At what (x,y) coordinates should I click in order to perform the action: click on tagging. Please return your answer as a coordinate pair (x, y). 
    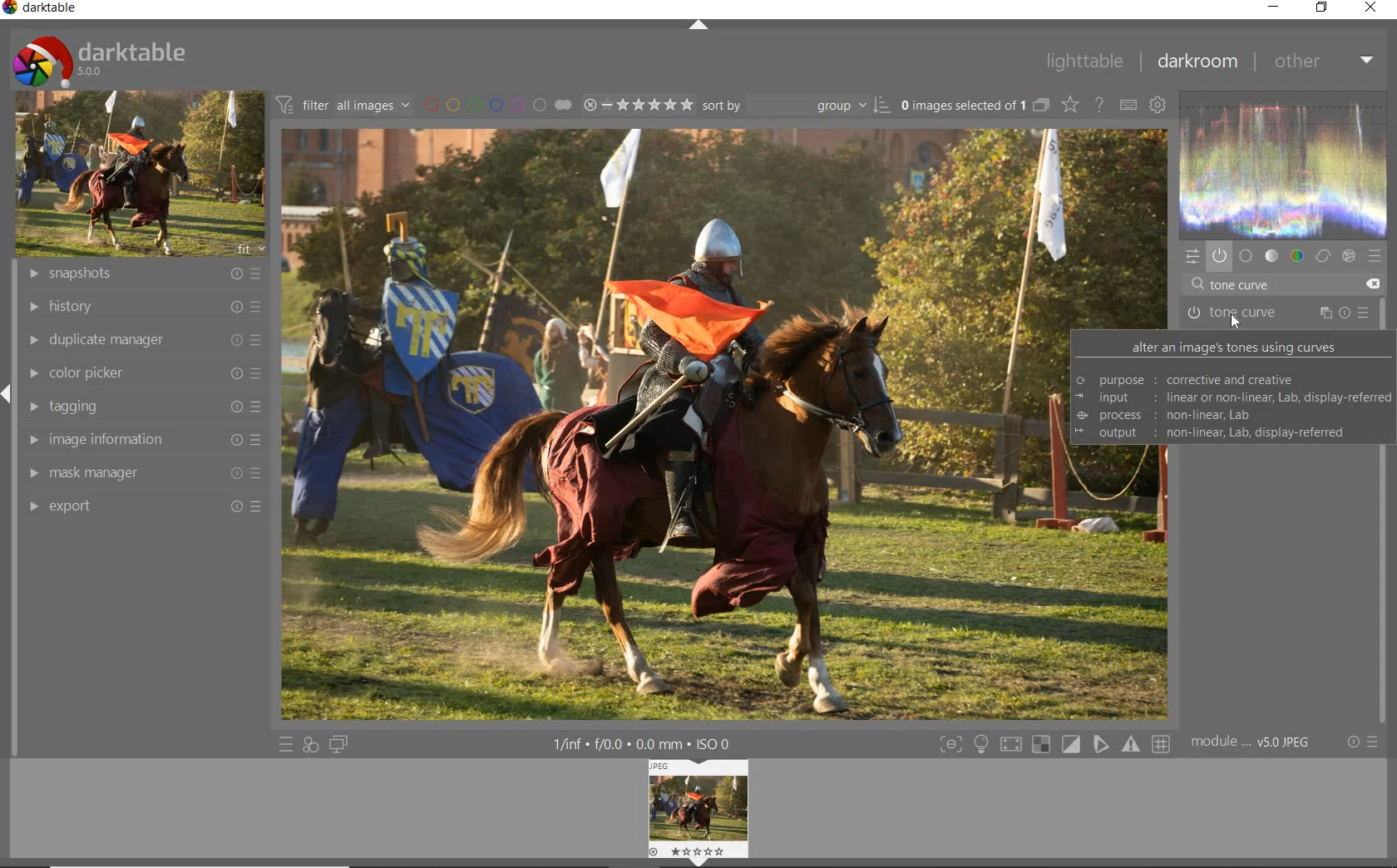
    Looking at the image, I should click on (141, 407).